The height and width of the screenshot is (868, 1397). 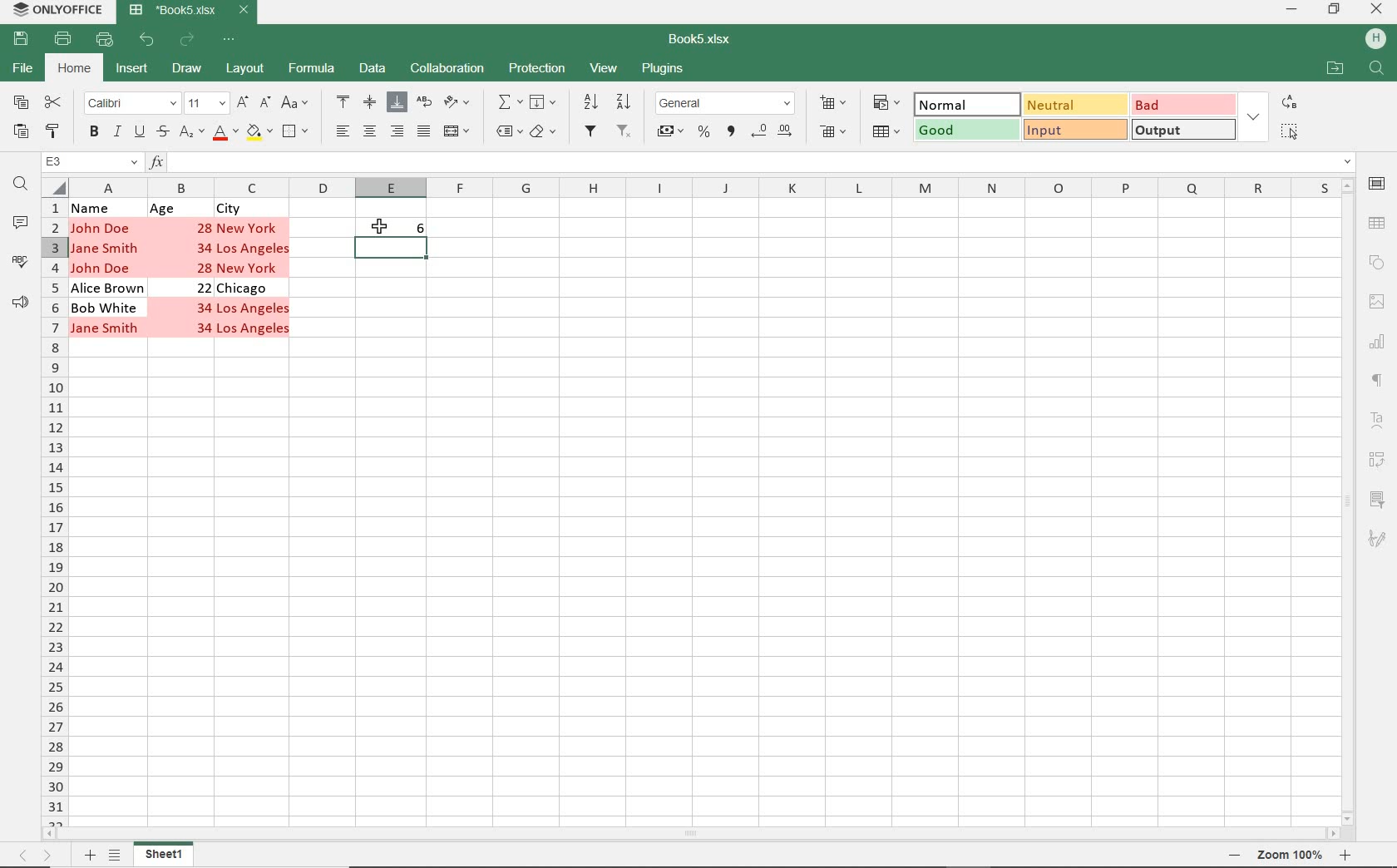 I want to click on COPY STYLE, so click(x=53, y=132).